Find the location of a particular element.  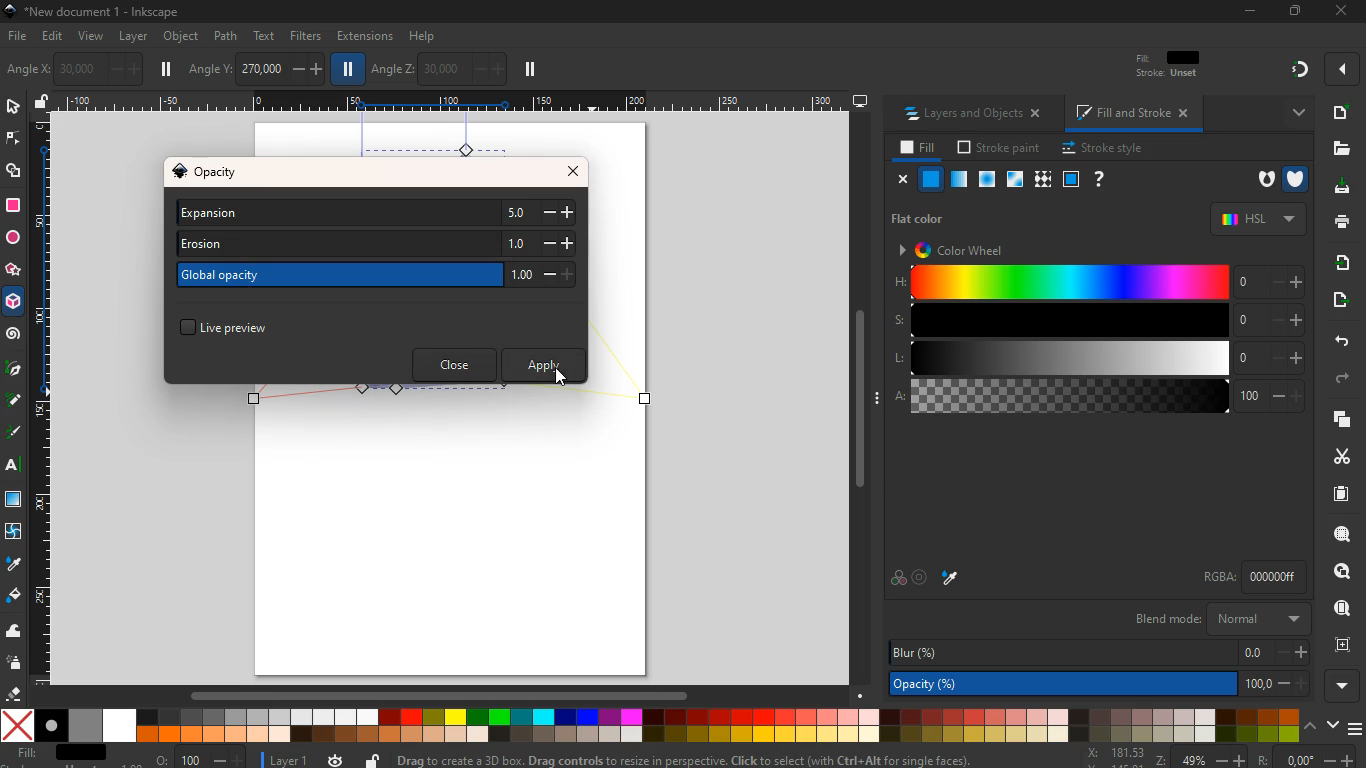

s is located at coordinates (1097, 321).